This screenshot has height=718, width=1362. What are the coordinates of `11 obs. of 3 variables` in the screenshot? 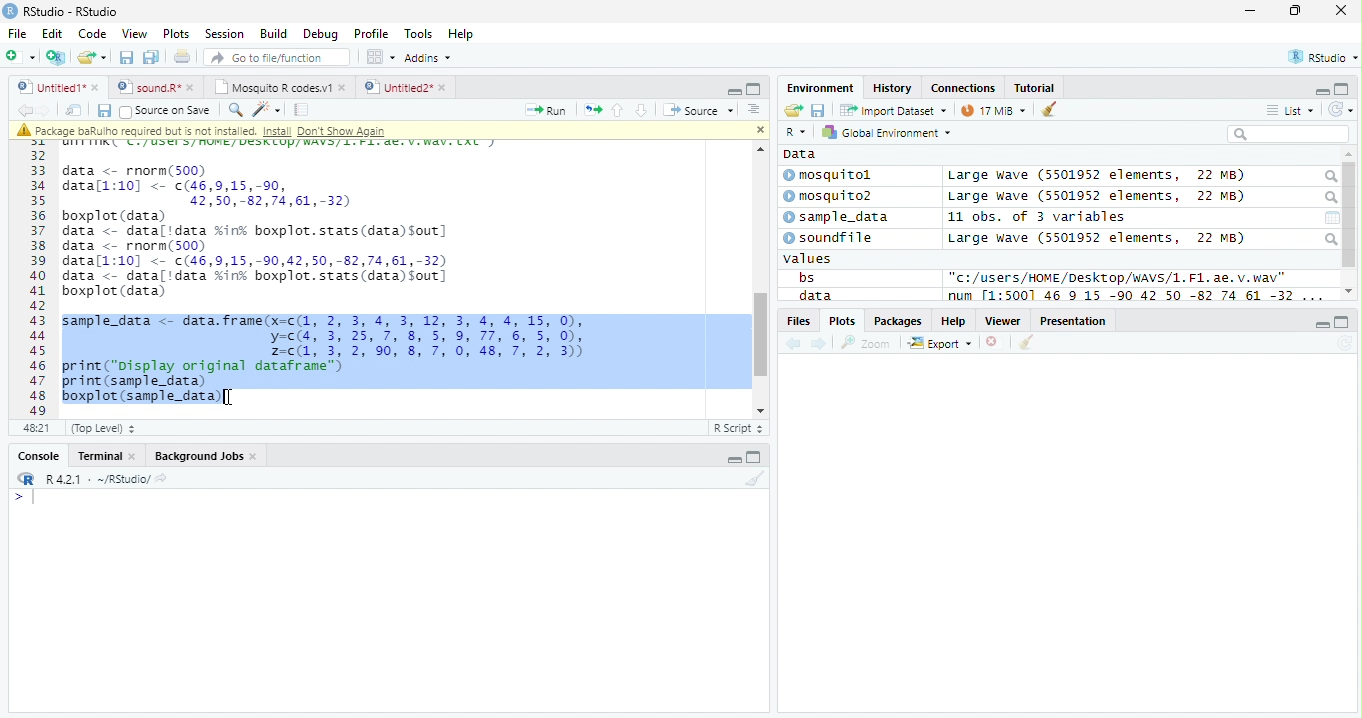 It's located at (1037, 217).